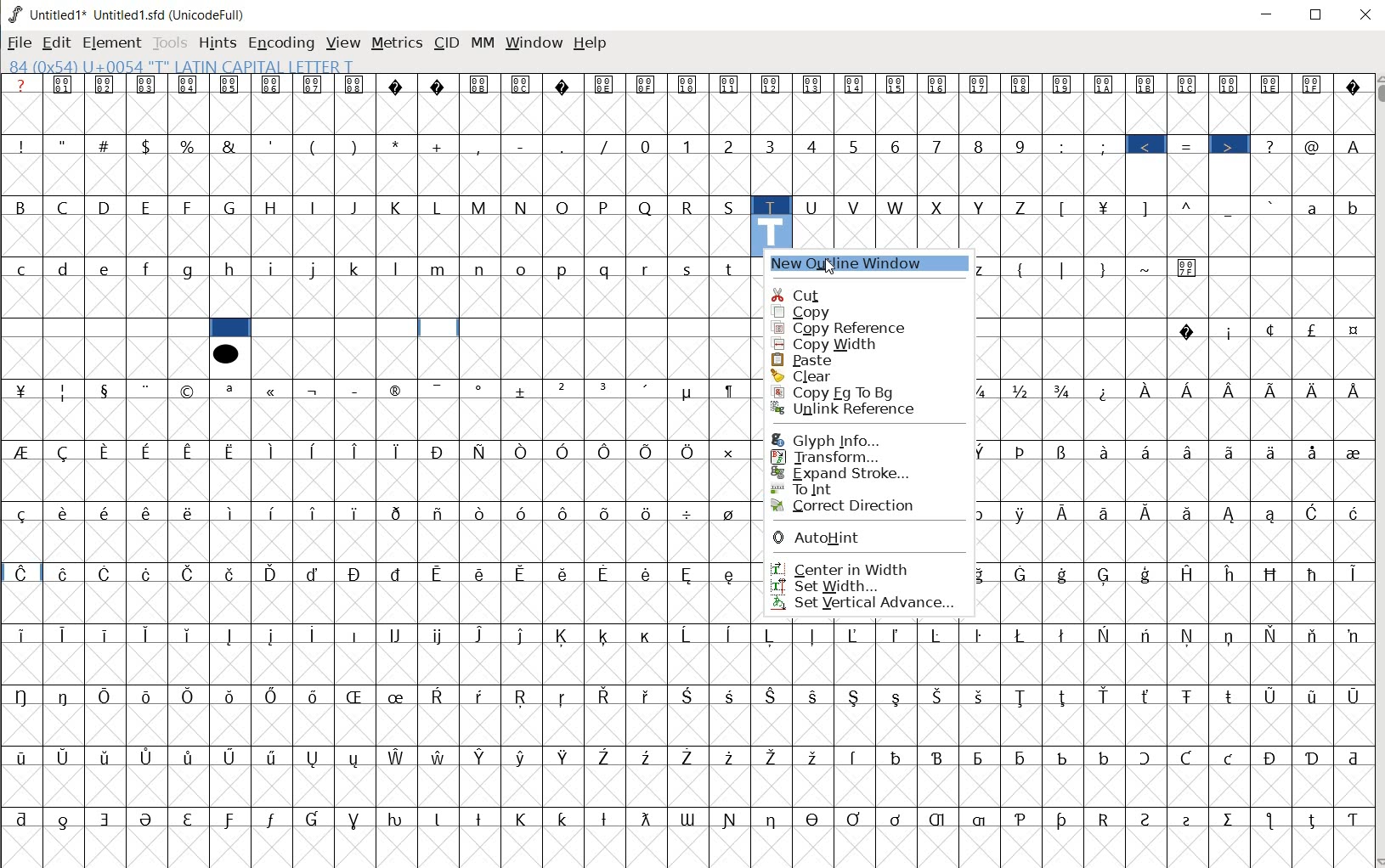 This screenshot has height=868, width=1385. Describe the element at coordinates (399, 268) in the screenshot. I see `l` at that location.